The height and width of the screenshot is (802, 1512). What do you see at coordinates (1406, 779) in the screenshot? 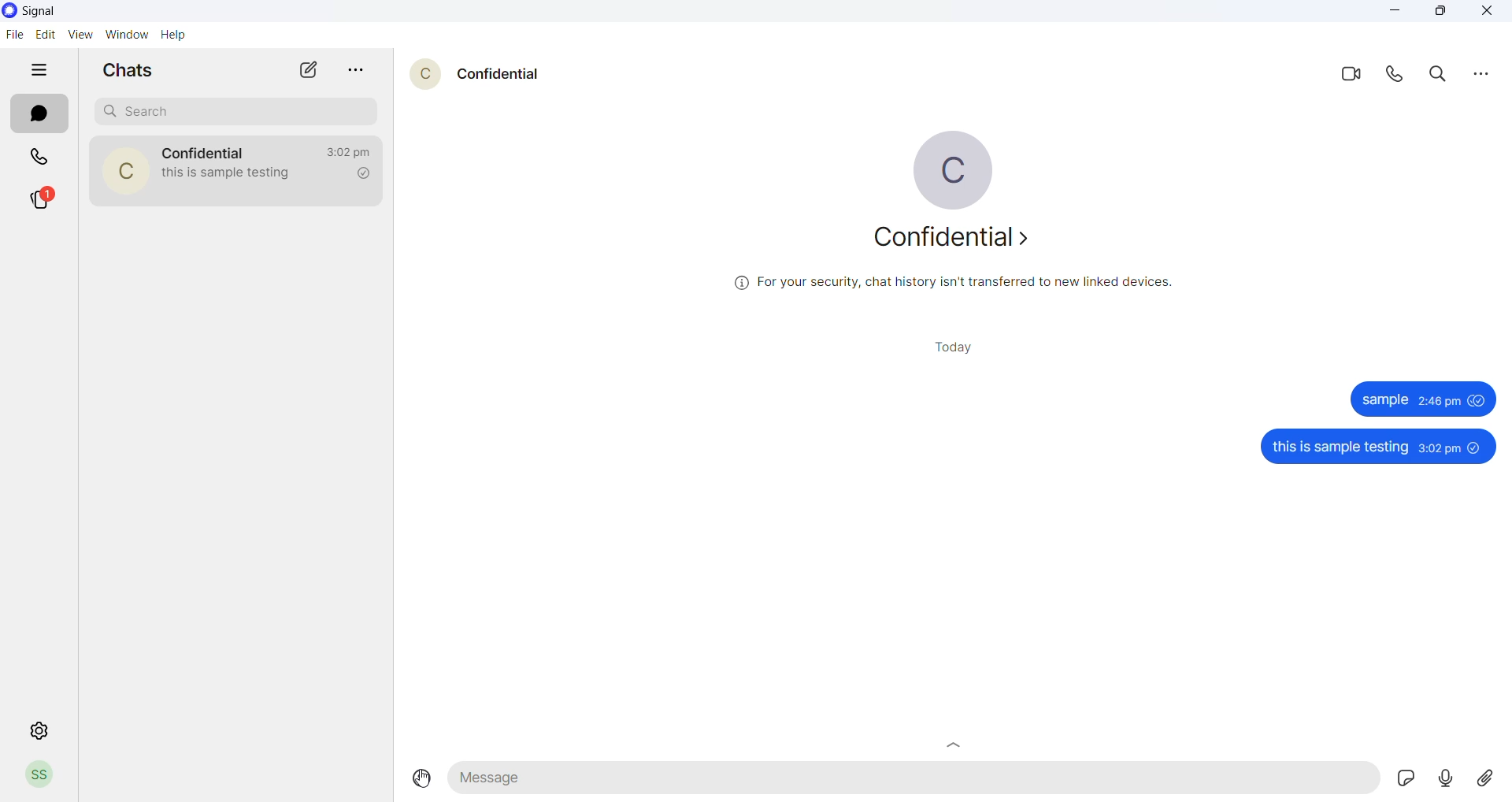
I see `sticker` at bounding box center [1406, 779].